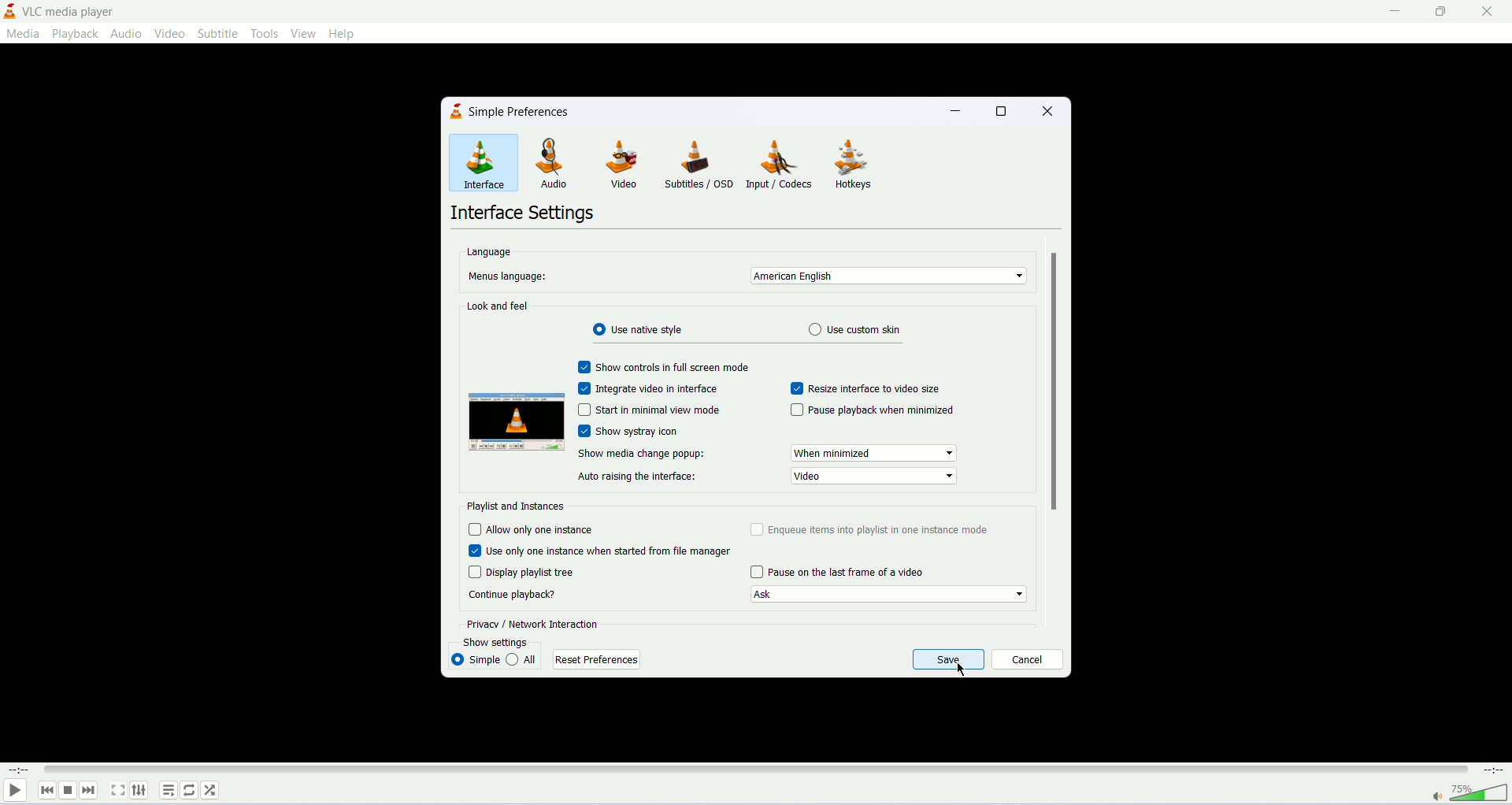 This screenshot has width=1512, height=805. I want to click on save, so click(949, 660).